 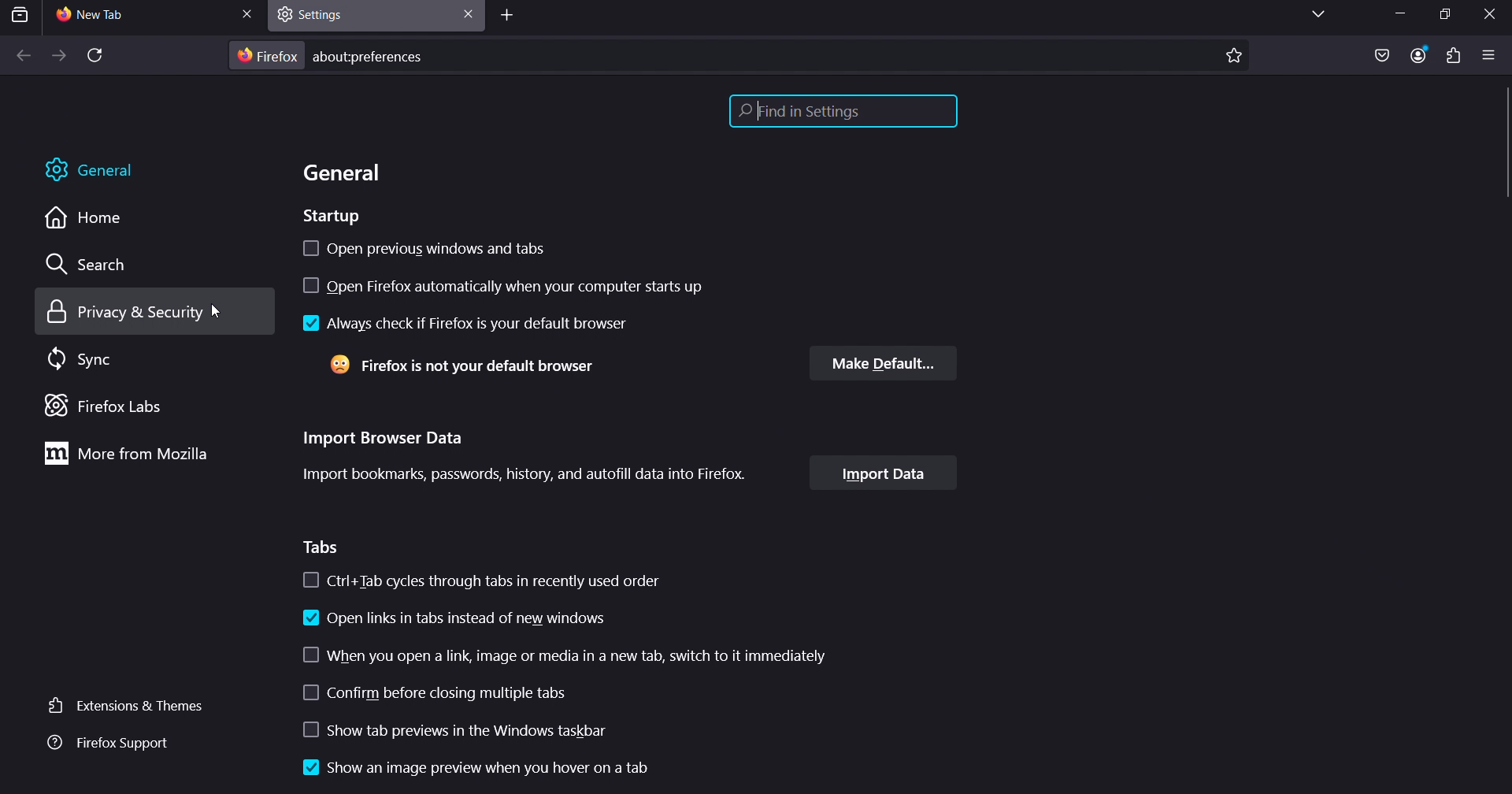 What do you see at coordinates (121, 407) in the screenshot?
I see `firefox labs` at bounding box center [121, 407].